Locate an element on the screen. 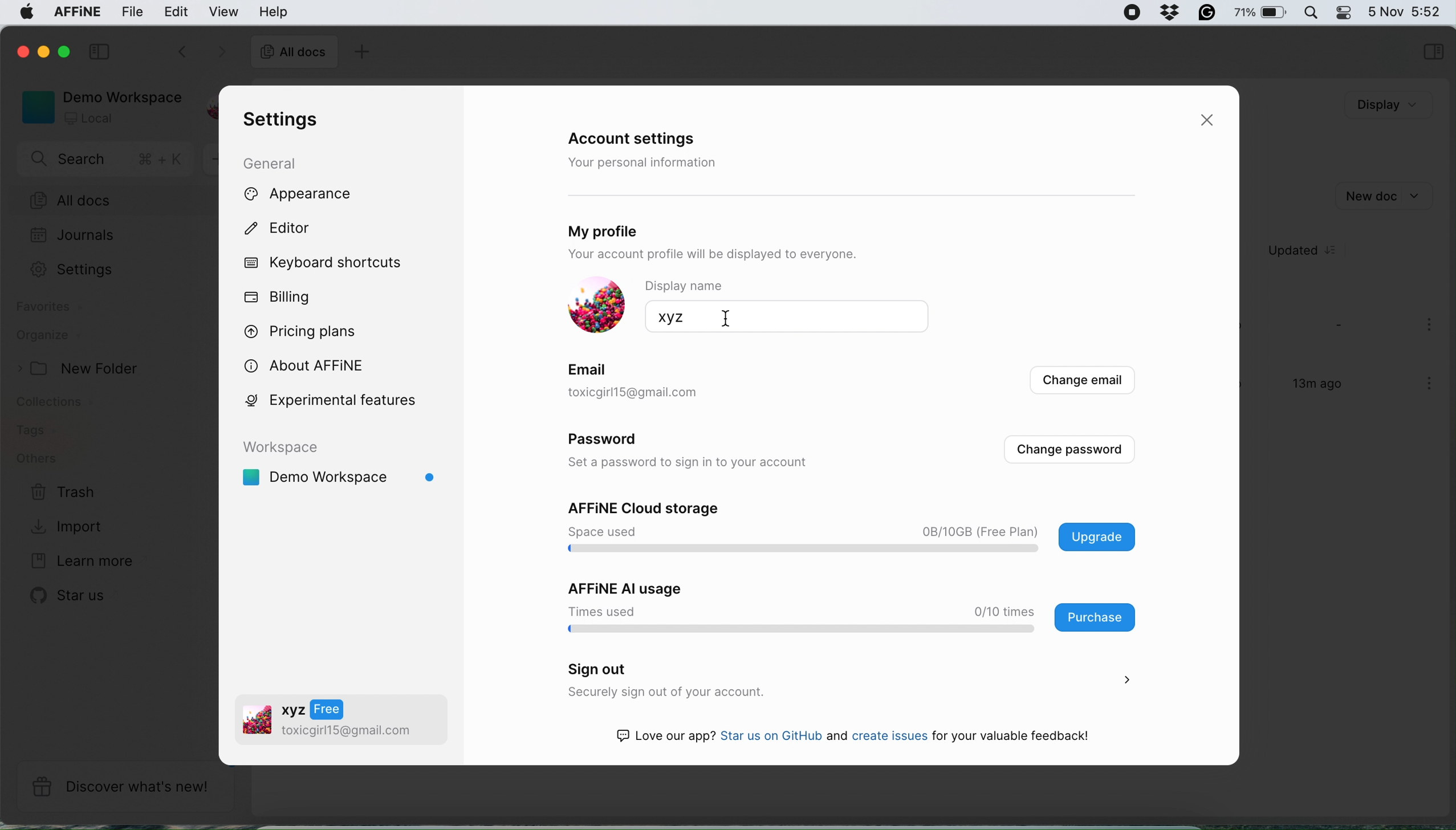 The width and height of the screenshot is (1456, 830). display name is located at coordinates (701, 286).